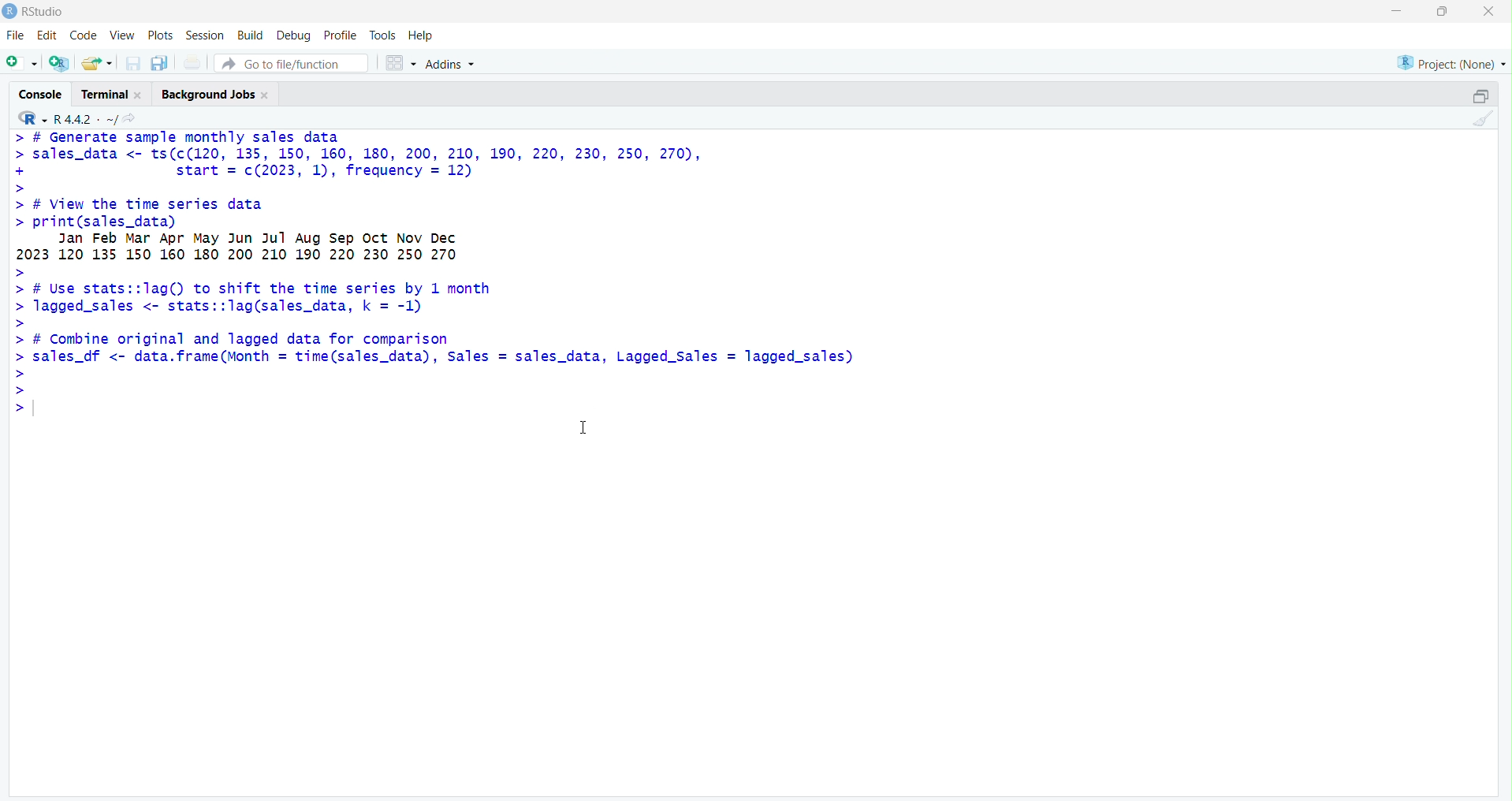  Describe the element at coordinates (385, 161) in the screenshot. I see `# Generate sample monthly sales data sales_data <- ts(c(120, 135, 150, 160, 180, 200, 210, 190, 220, 230, 250, 270),start = c(2023, 1), frequency = 12)` at that location.